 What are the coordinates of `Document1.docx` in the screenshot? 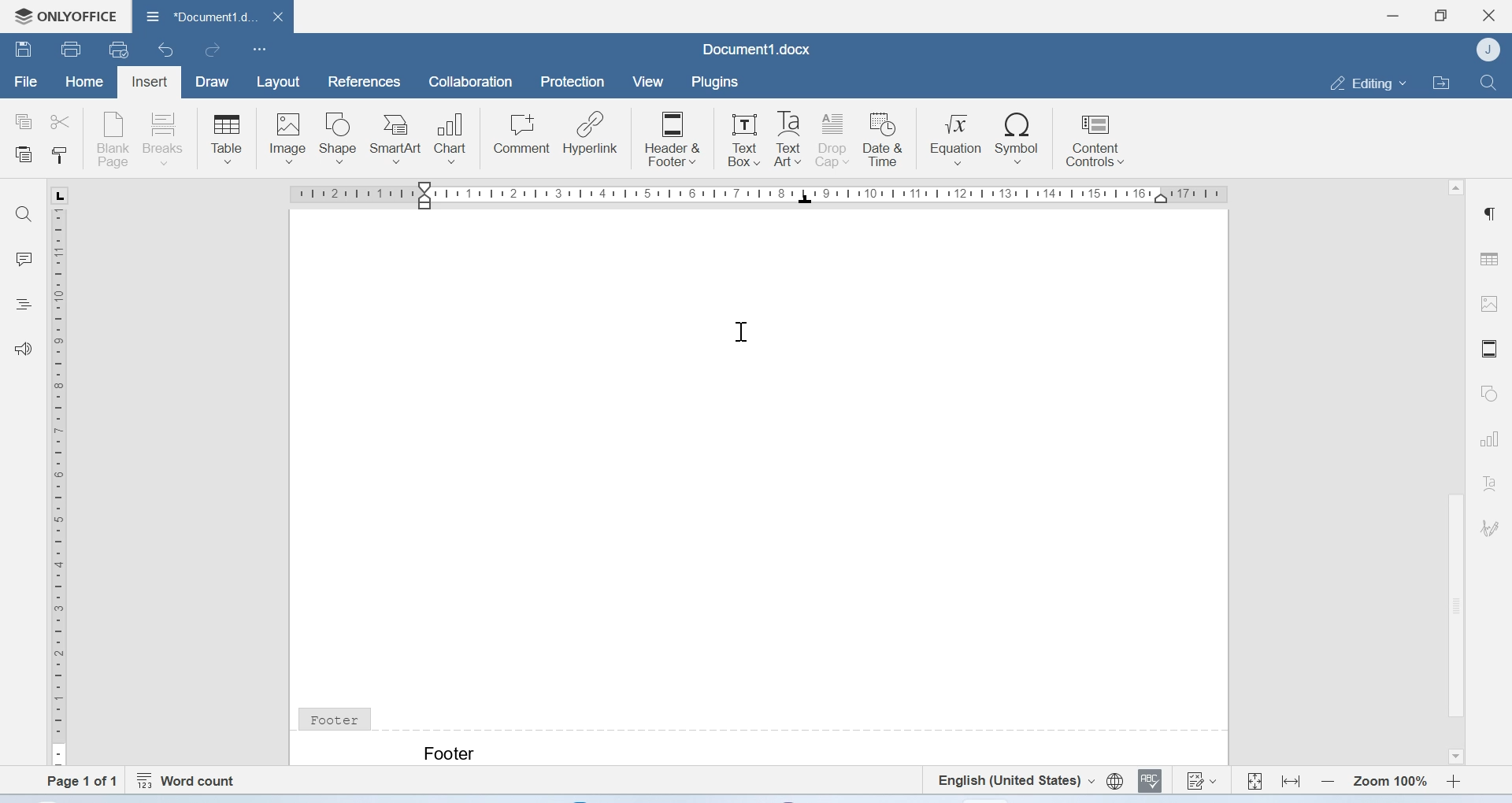 It's located at (213, 18).